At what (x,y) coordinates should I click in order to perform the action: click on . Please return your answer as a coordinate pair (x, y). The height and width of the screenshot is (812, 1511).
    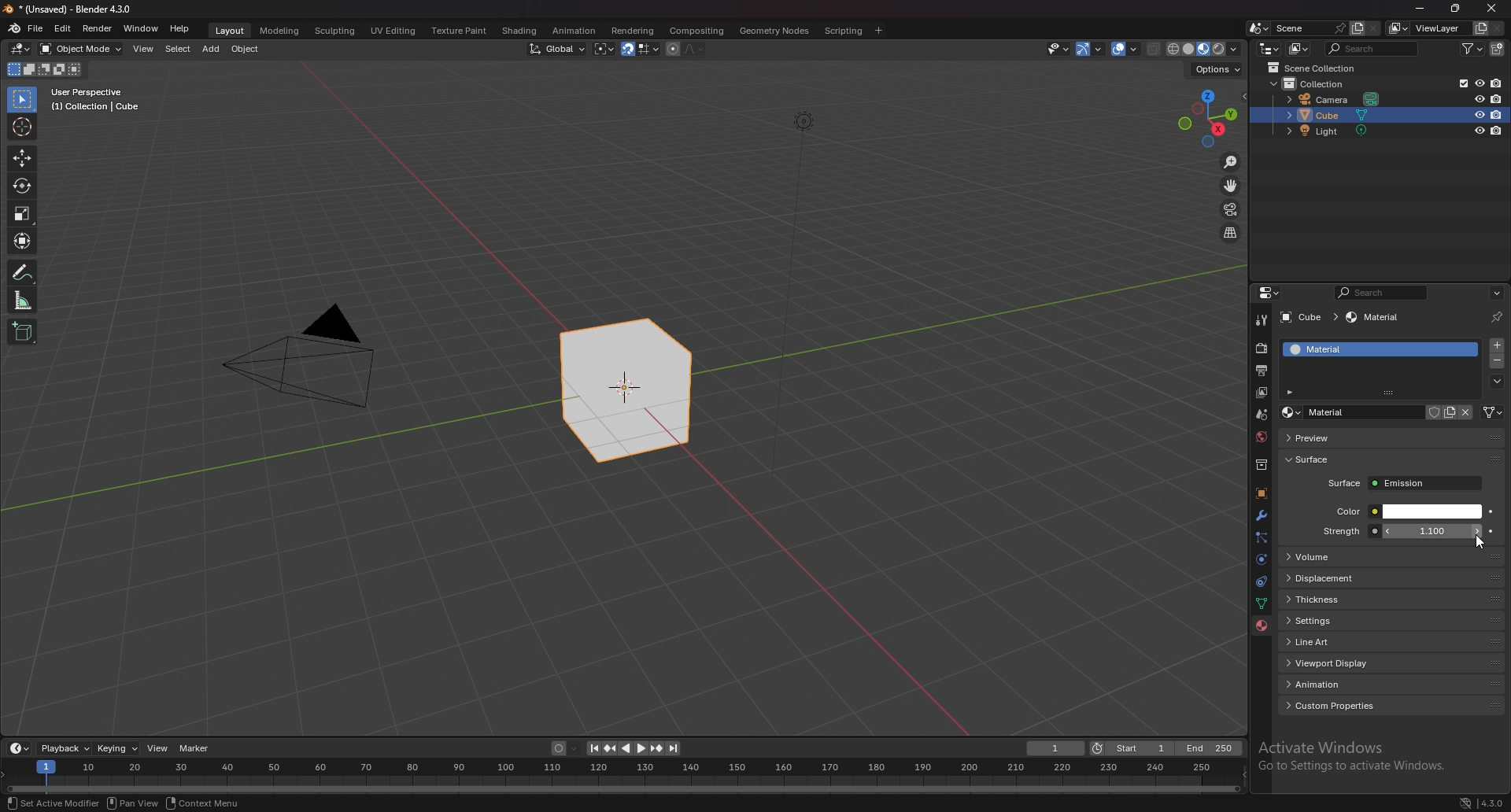
    Looking at the image, I should click on (801, 303).